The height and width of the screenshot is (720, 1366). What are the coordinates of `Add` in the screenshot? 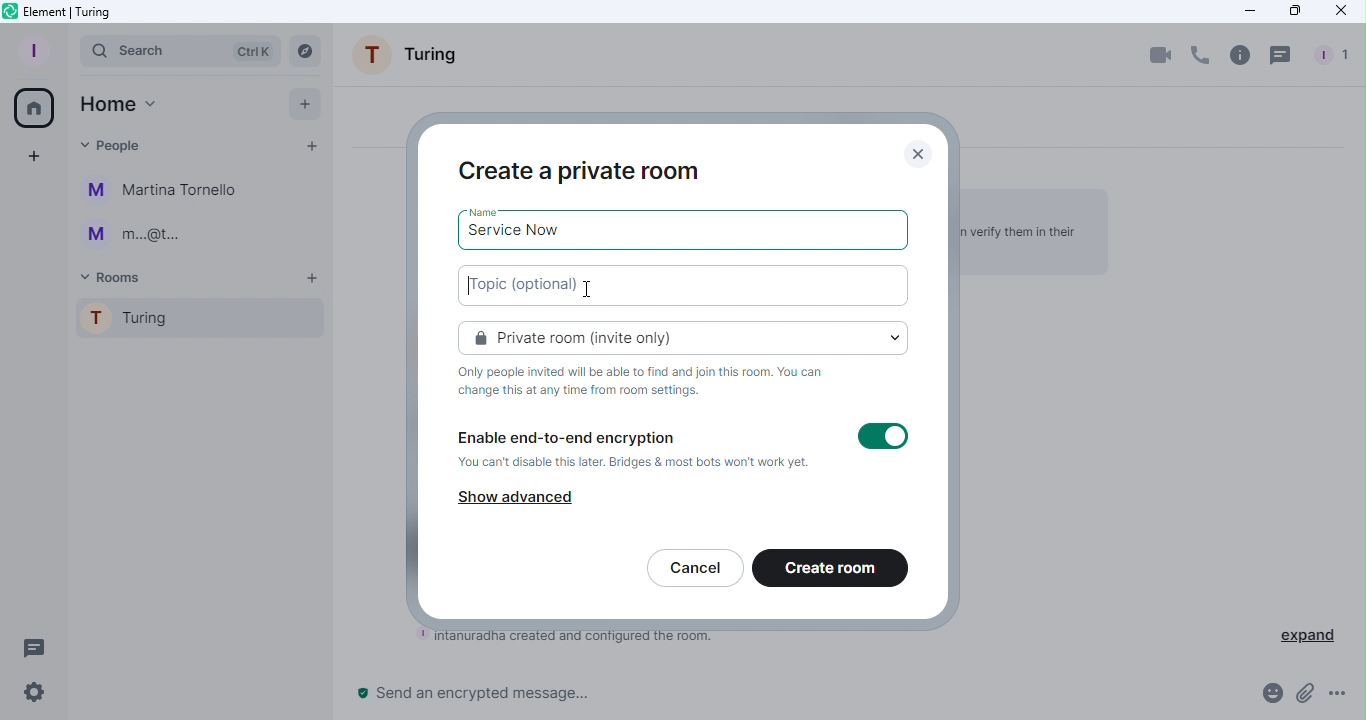 It's located at (299, 103).